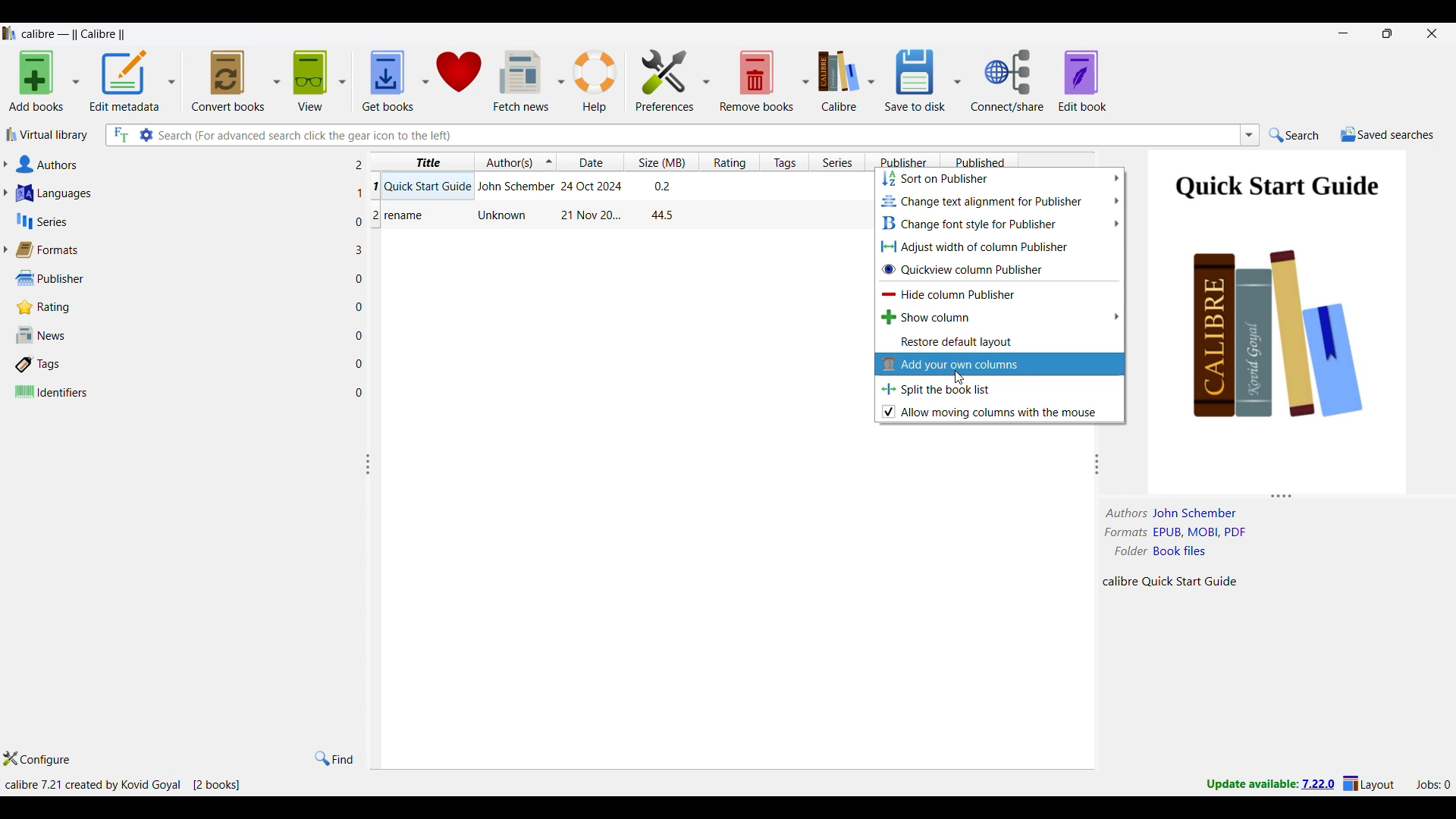 This screenshot has height=819, width=1456. I want to click on Current details of software, so click(122, 785).